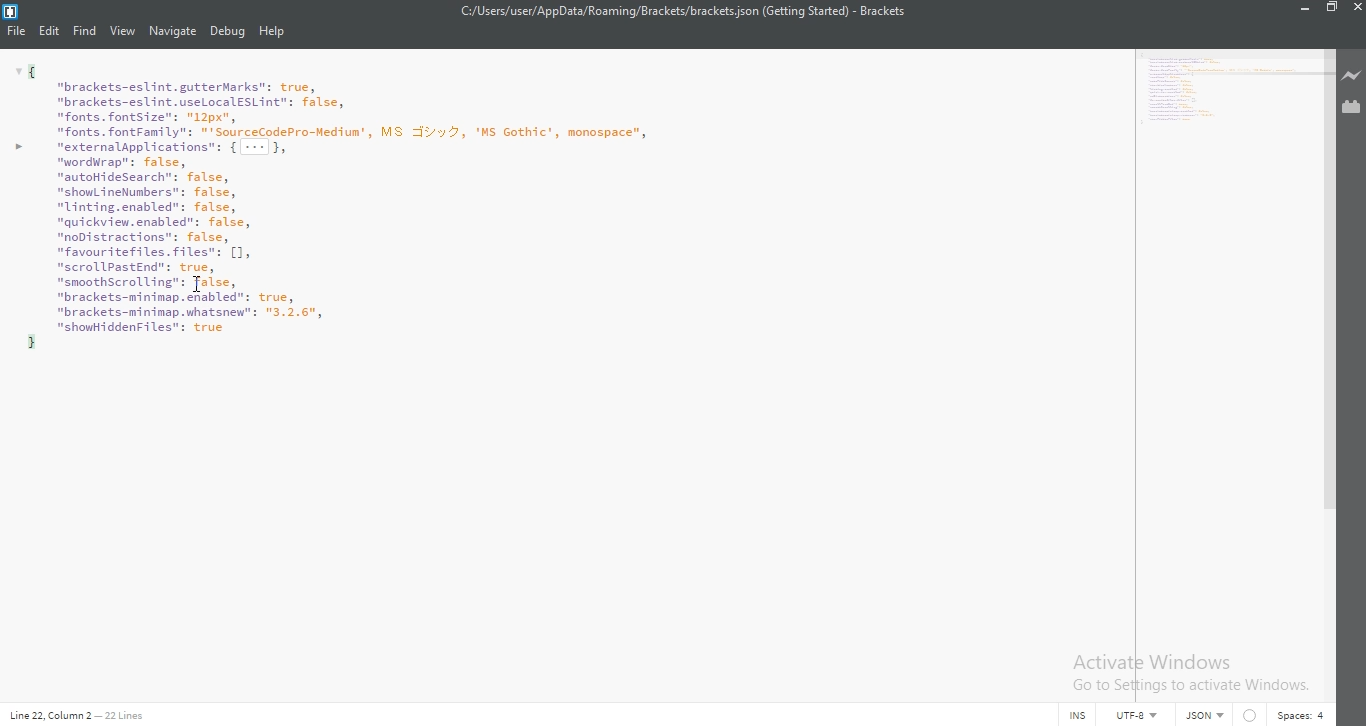 The image size is (1366, 726). I want to click on Navigate, so click(172, 32).